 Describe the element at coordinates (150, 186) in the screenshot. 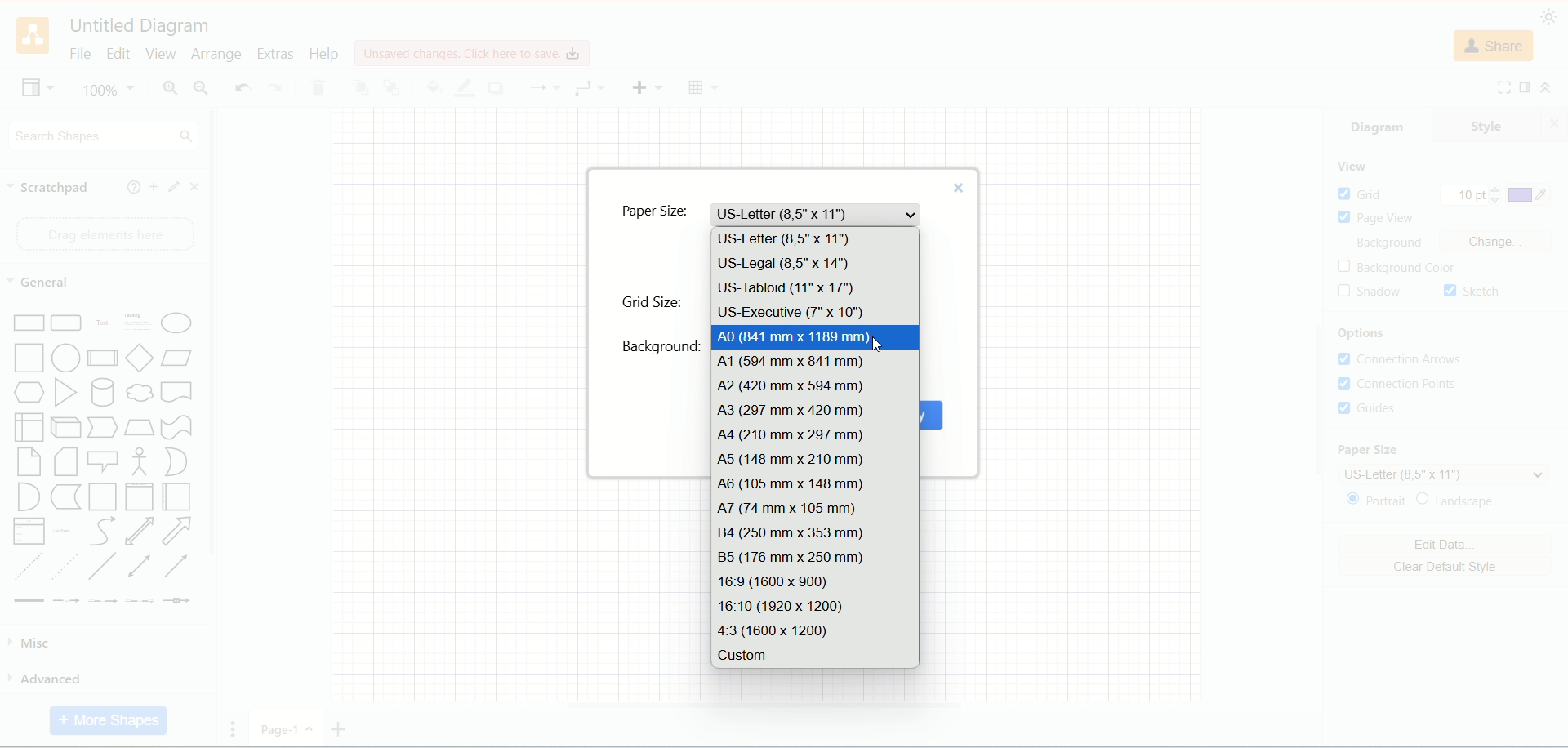

I see `add` at that location.